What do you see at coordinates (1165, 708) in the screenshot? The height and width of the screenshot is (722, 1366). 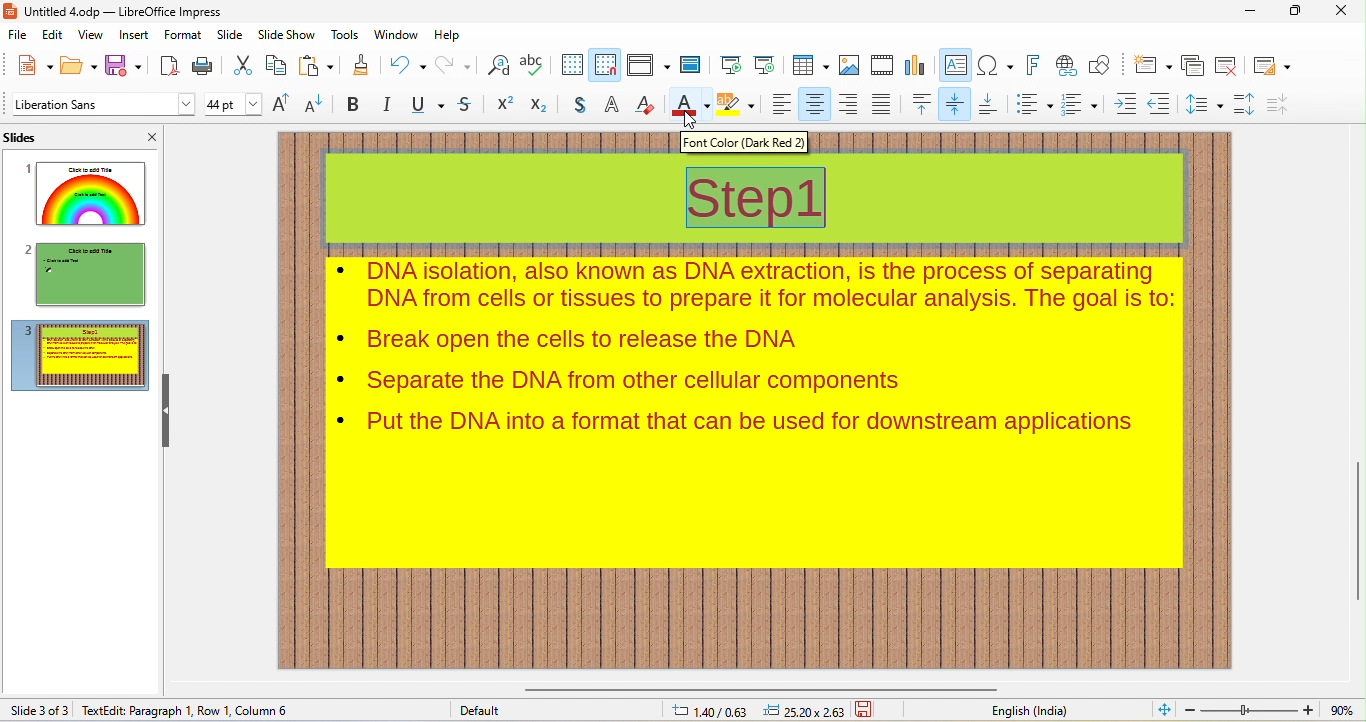 I see `fit to current view` at bounding box center [1165, 708].